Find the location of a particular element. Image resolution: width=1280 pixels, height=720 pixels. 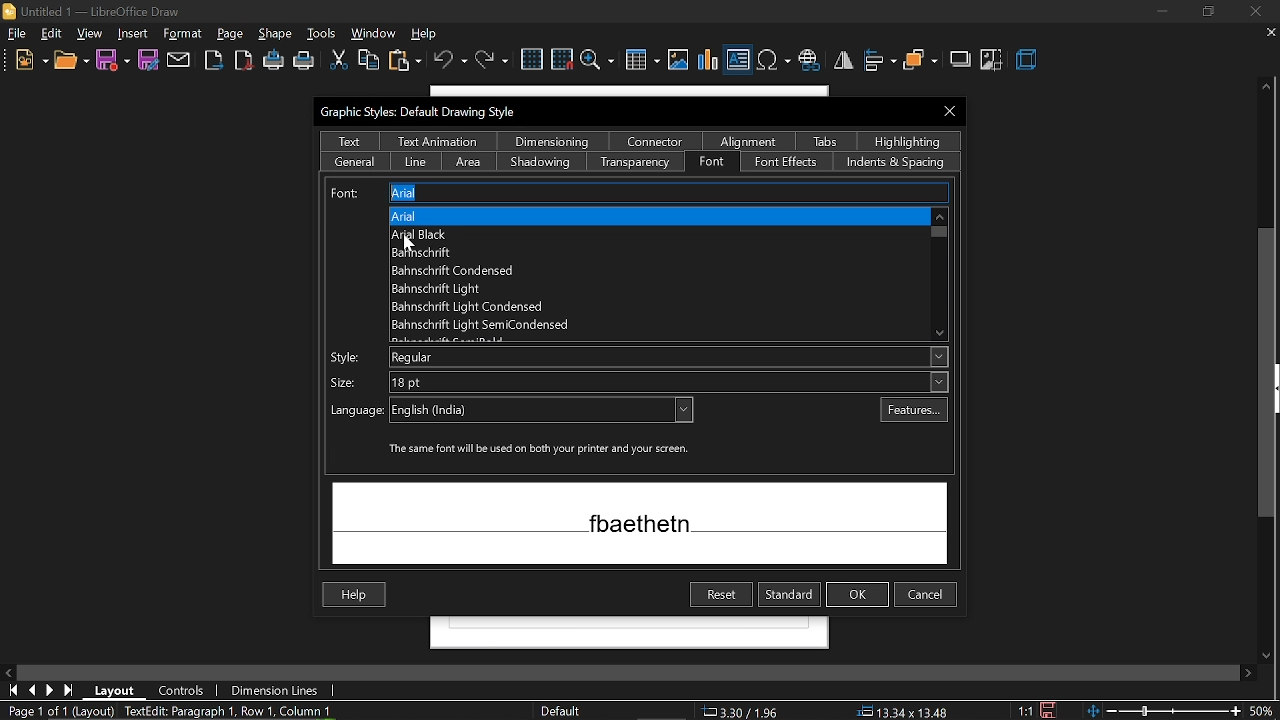

attach is located at coordinates (178, 61).